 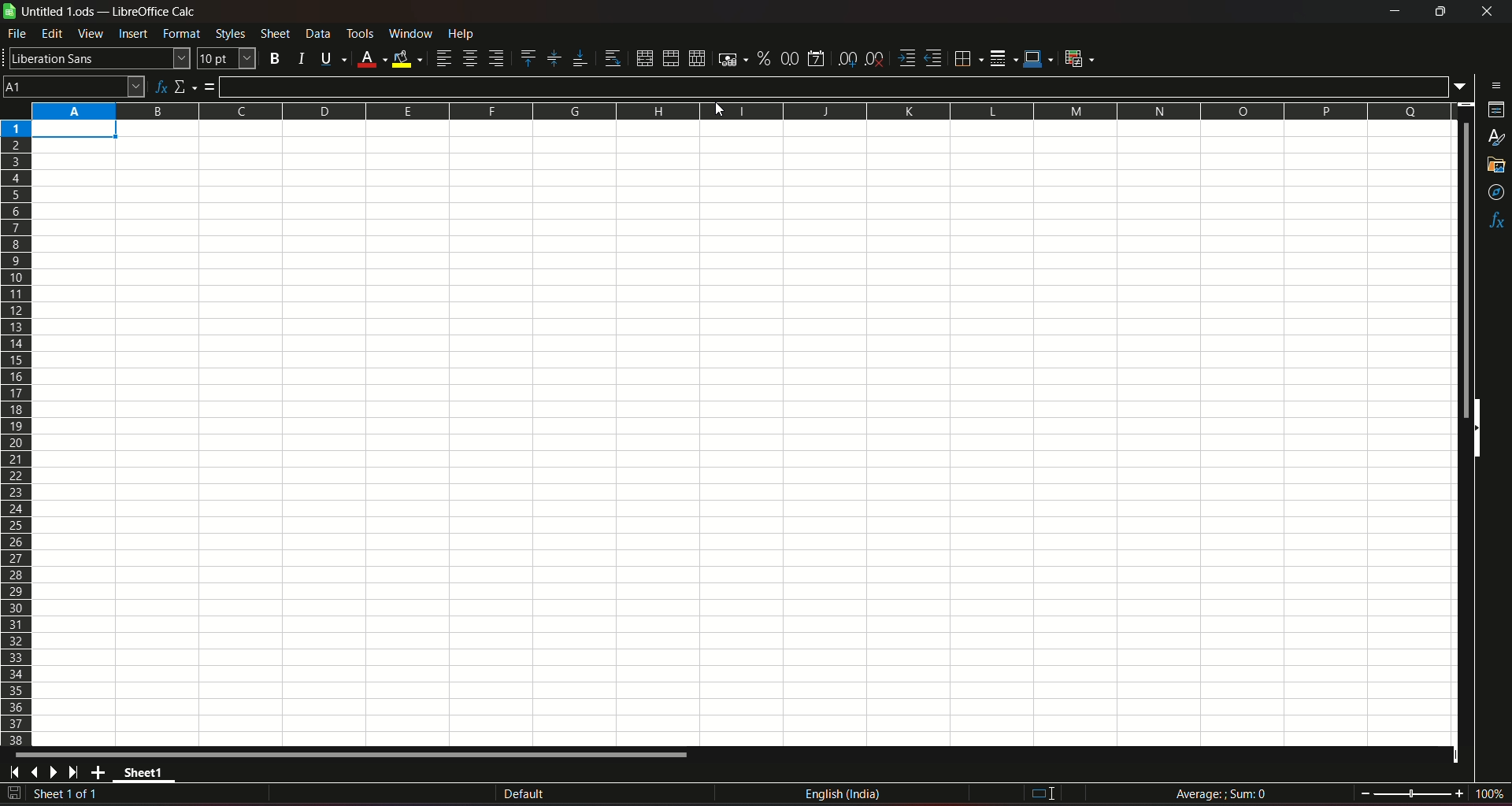 I want to click on edit, so click(x=52, y=35).